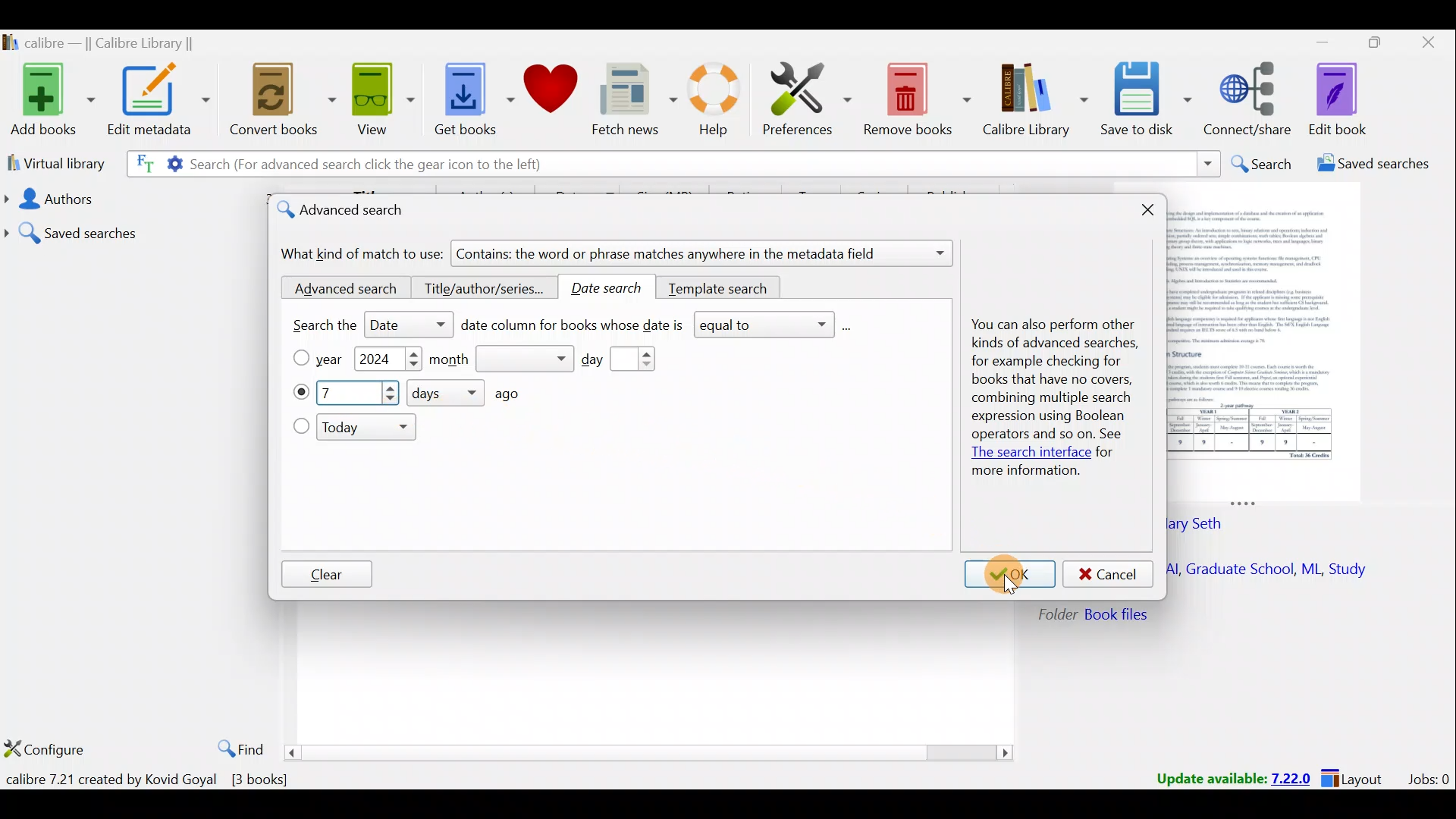 The image size is (1456, 819). I want to click on Help, so click(720, 102).